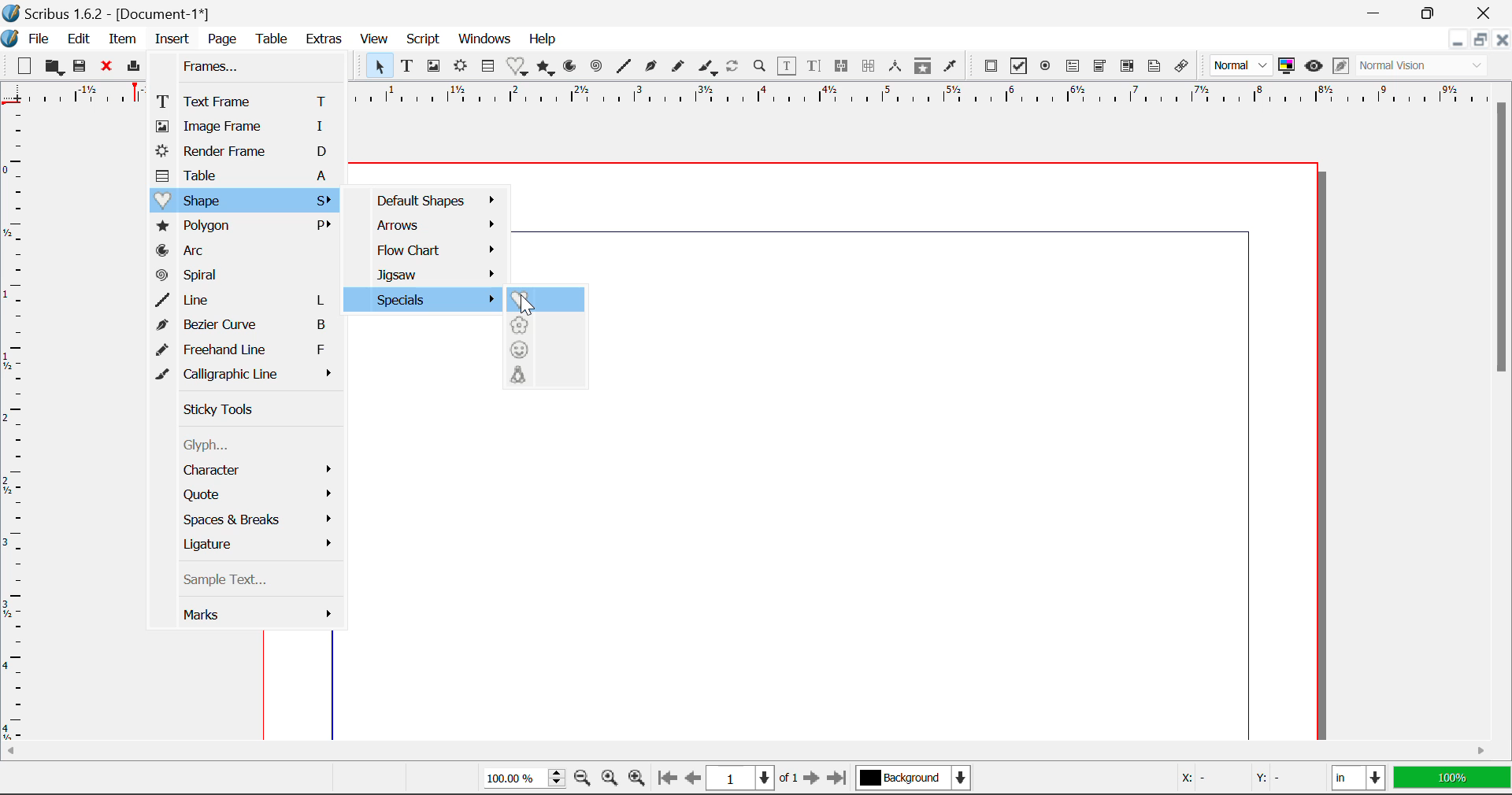  What do you see at coordinates (424, 298) in the screenshot?
I see `Specials menu open` at bounding box center [424, 298].